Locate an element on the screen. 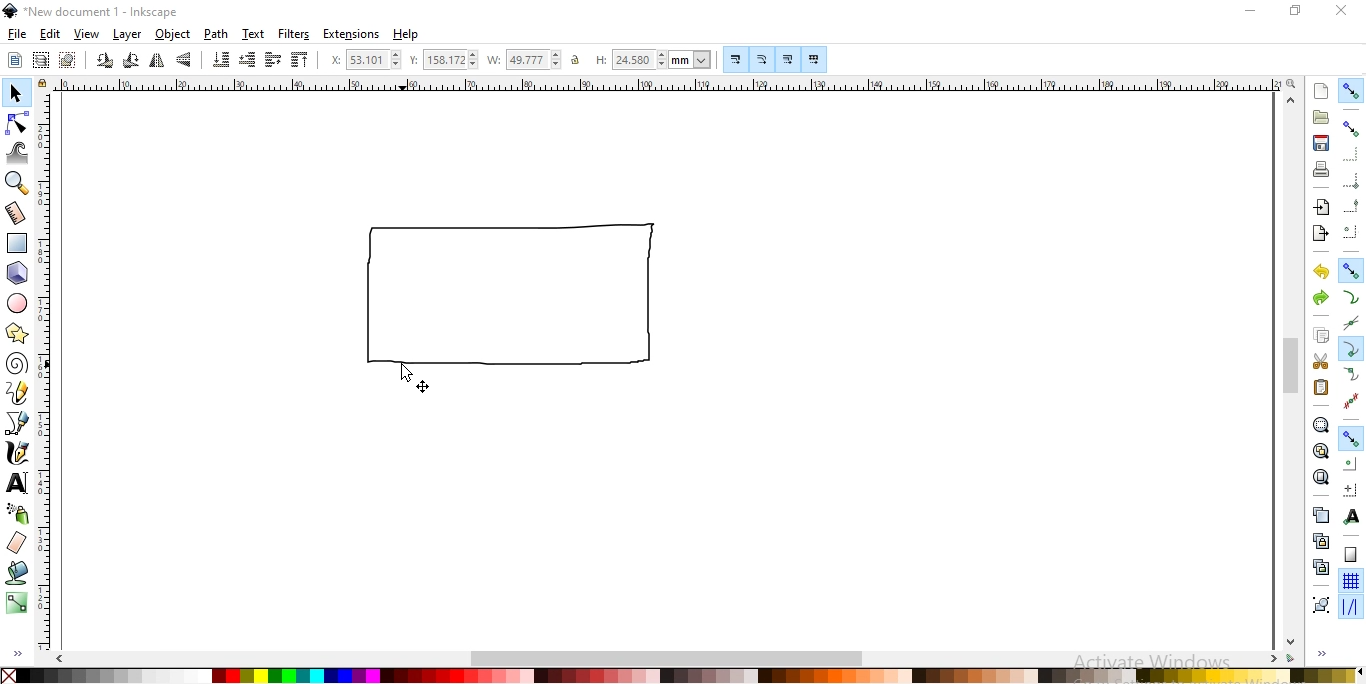 This screenshot has height=684, width=1366. file is located at coordinates (15, 34).